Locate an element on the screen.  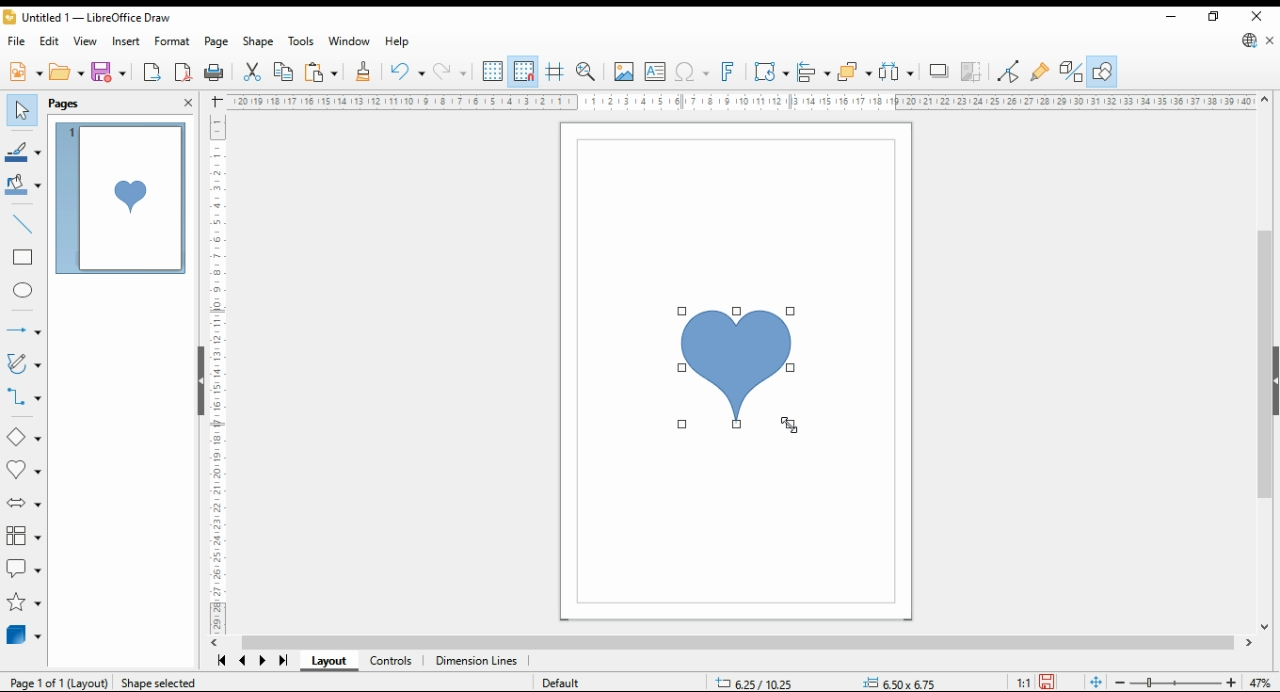
save is located at coordinates (110, 72).